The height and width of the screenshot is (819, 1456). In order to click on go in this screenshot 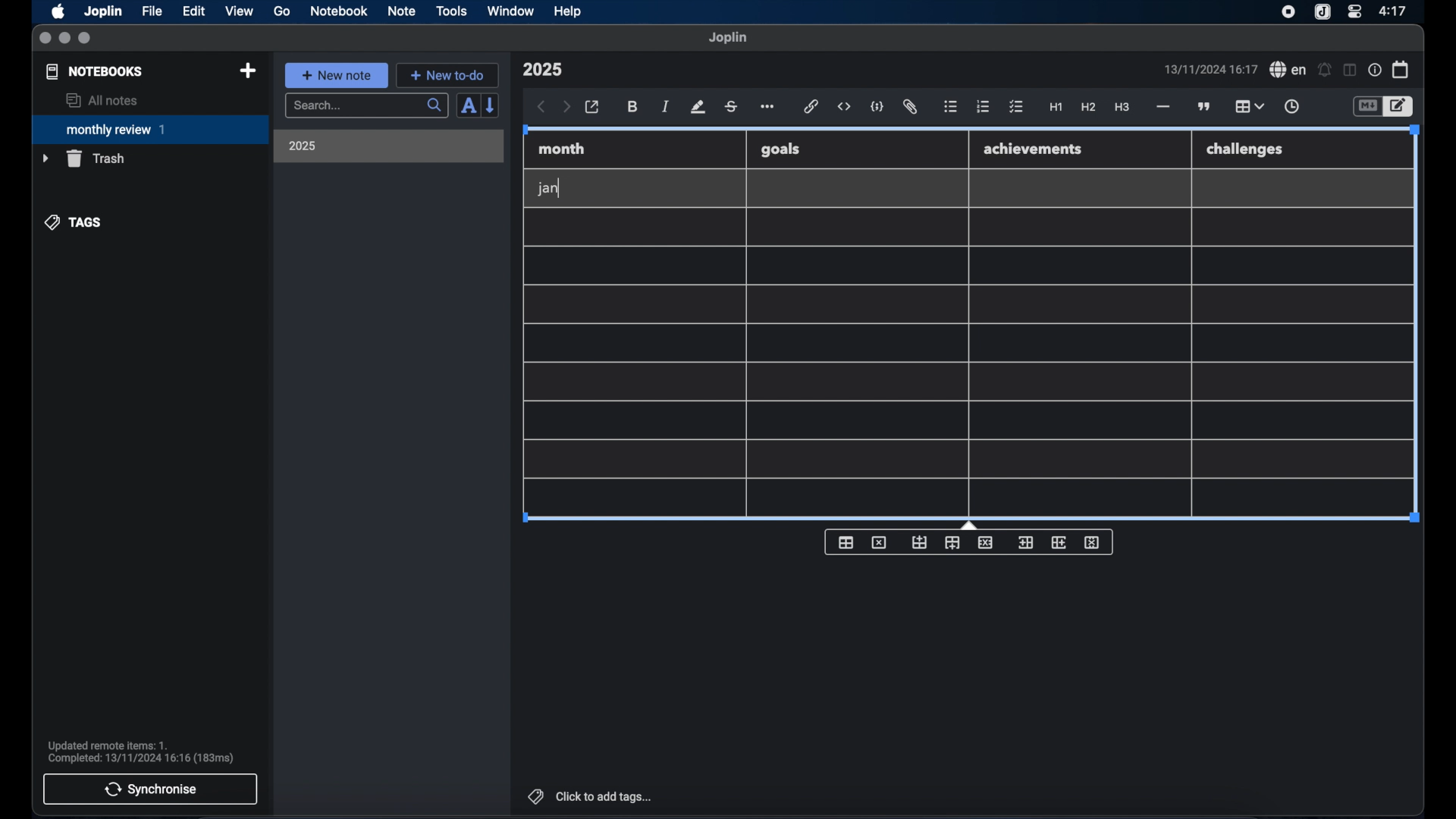, I will do `click(282, 11)`.